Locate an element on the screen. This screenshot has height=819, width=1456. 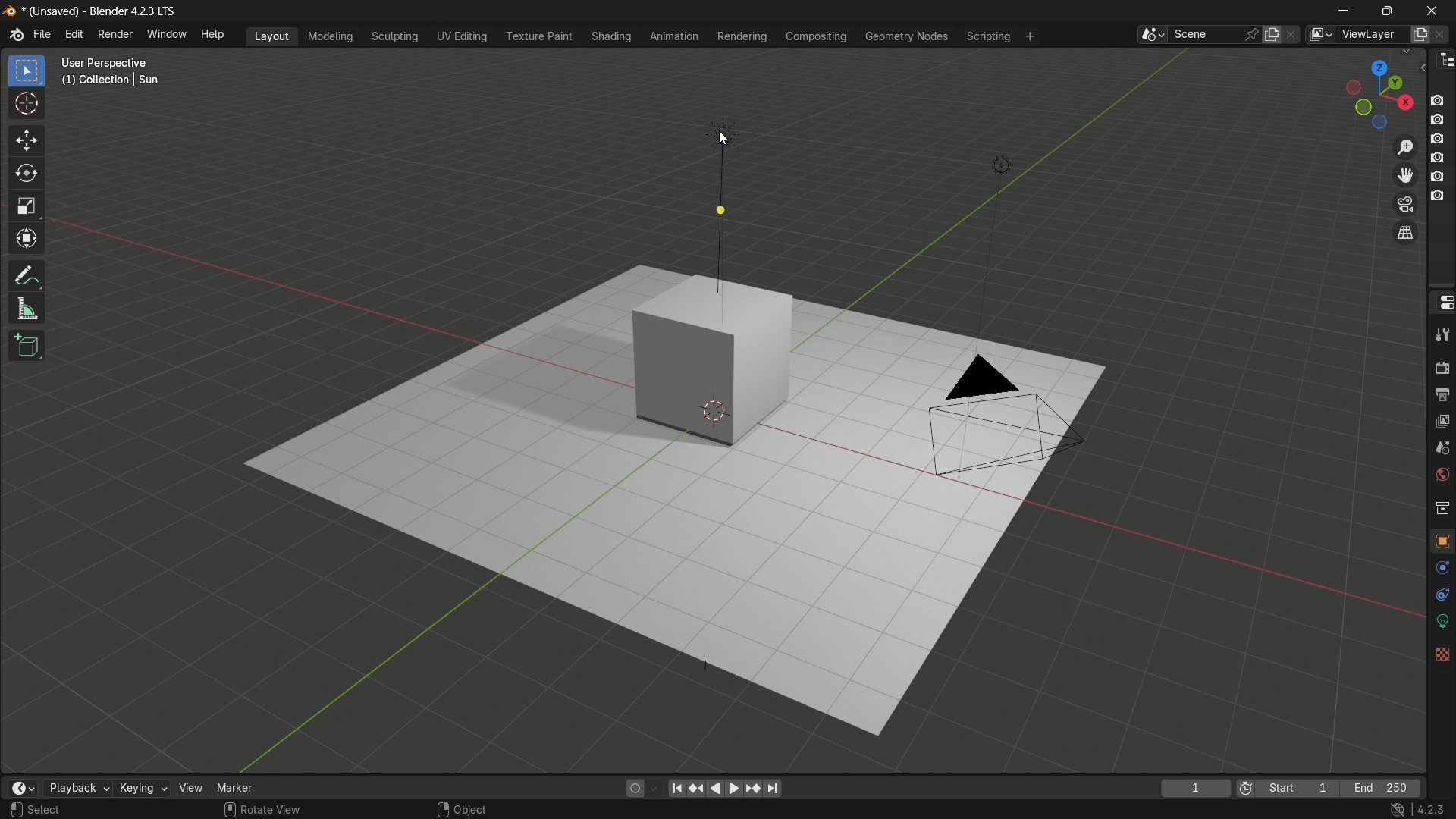
animation is located at coordinates (673, 36).